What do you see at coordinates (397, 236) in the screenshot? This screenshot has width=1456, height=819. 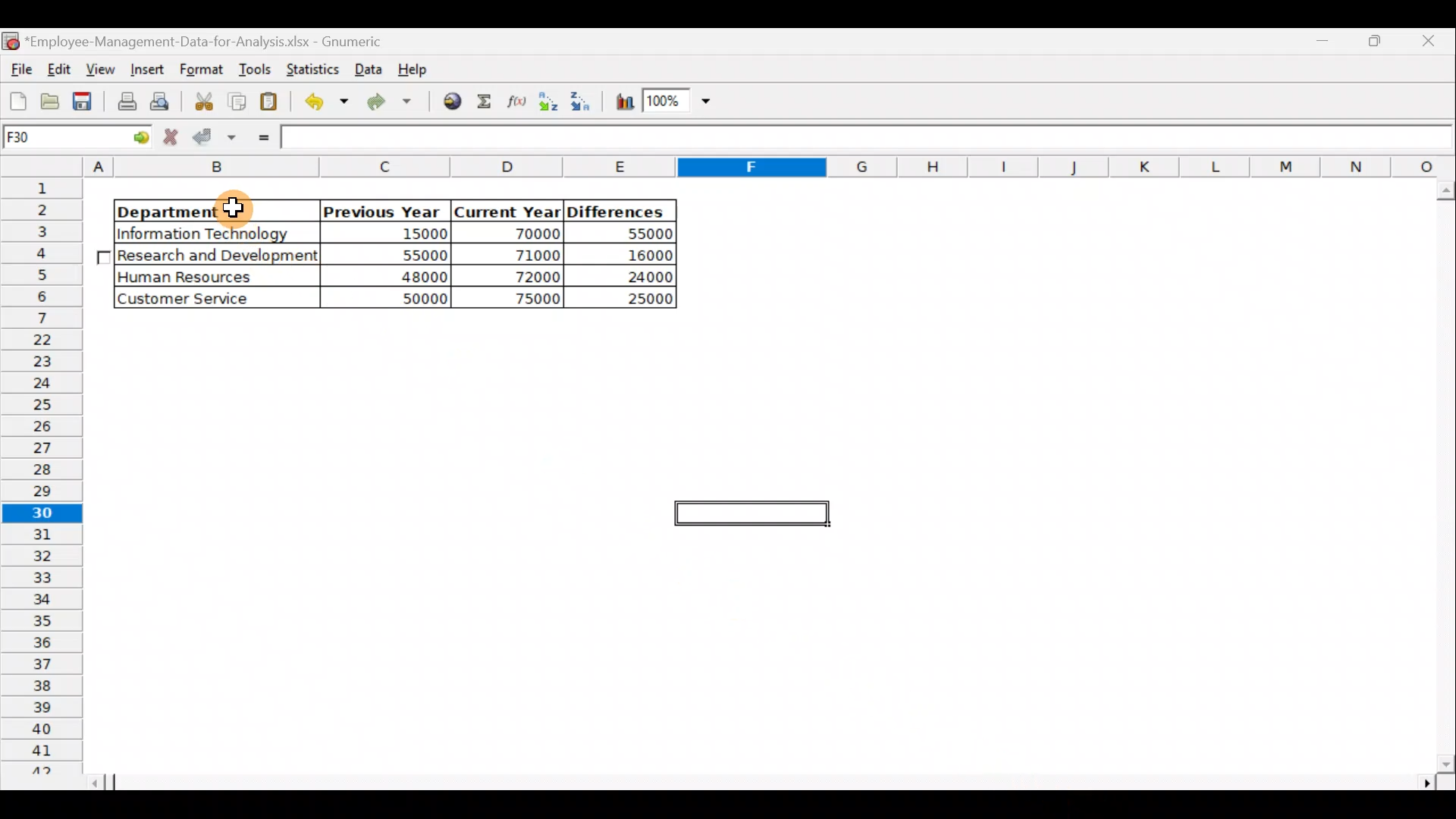 I see `15000` at bounding box center [397, 236].